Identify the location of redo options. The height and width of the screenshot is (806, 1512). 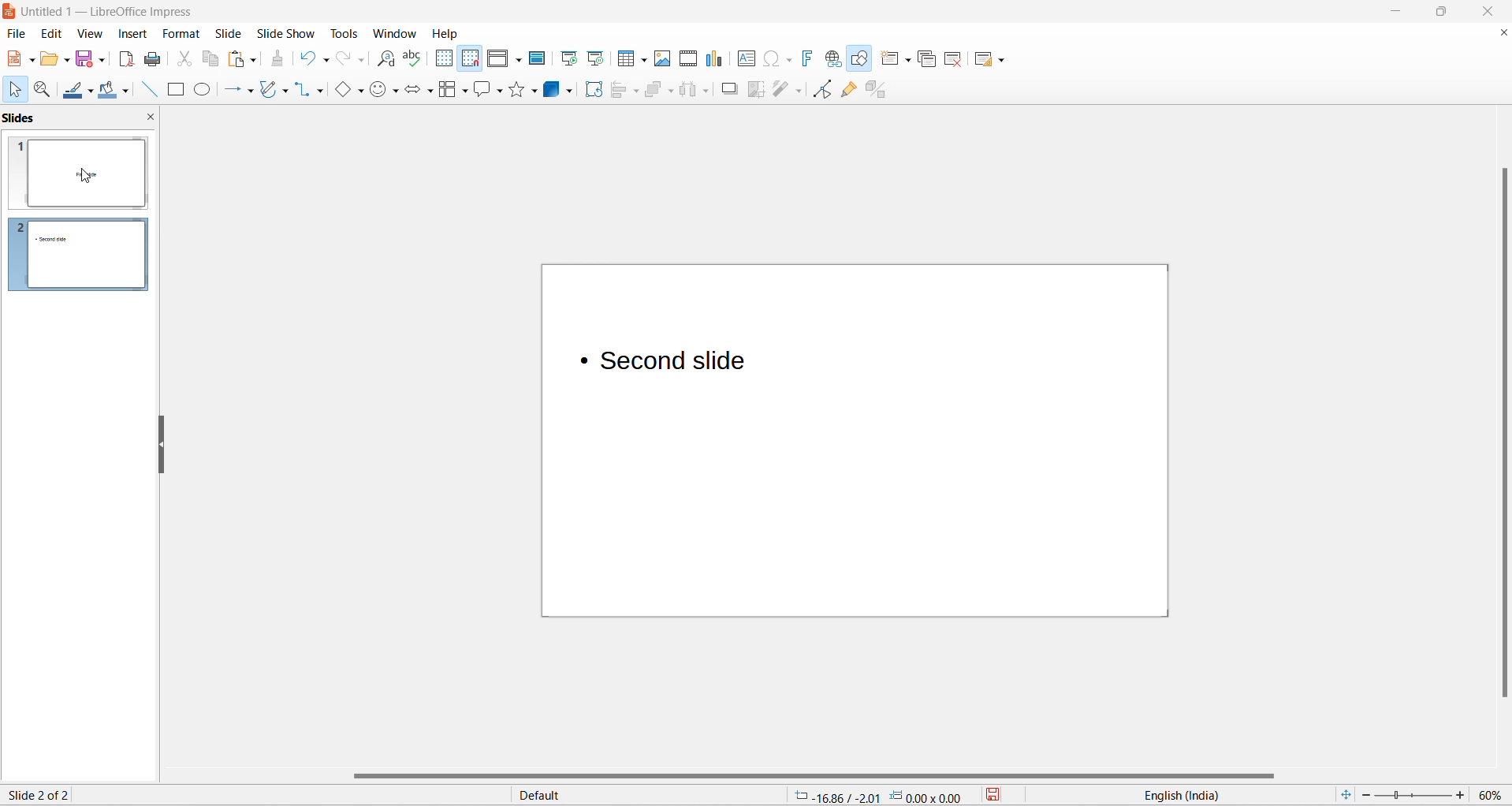
(365, 56).